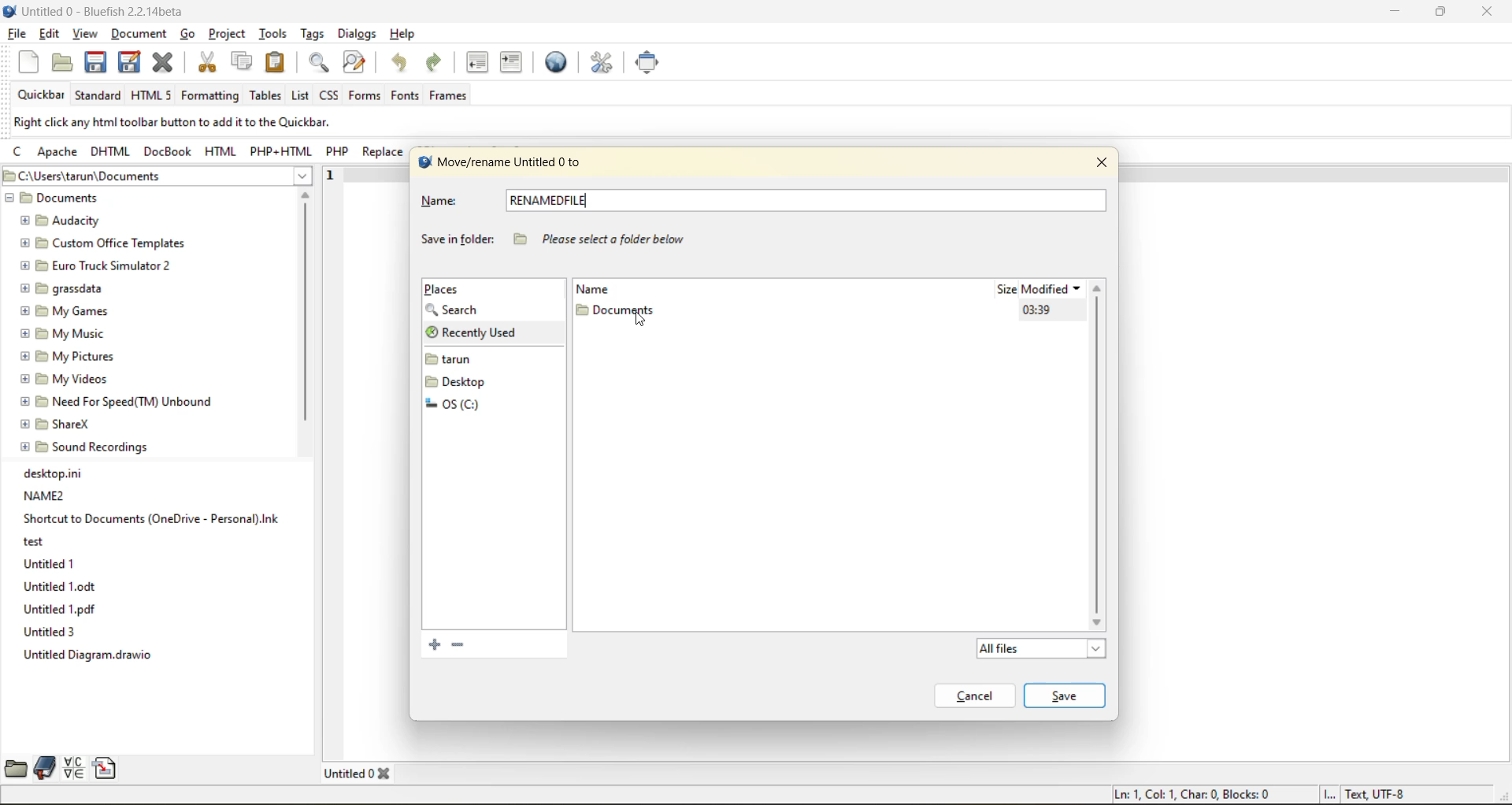  I want to click on indent, so click(511, 62).